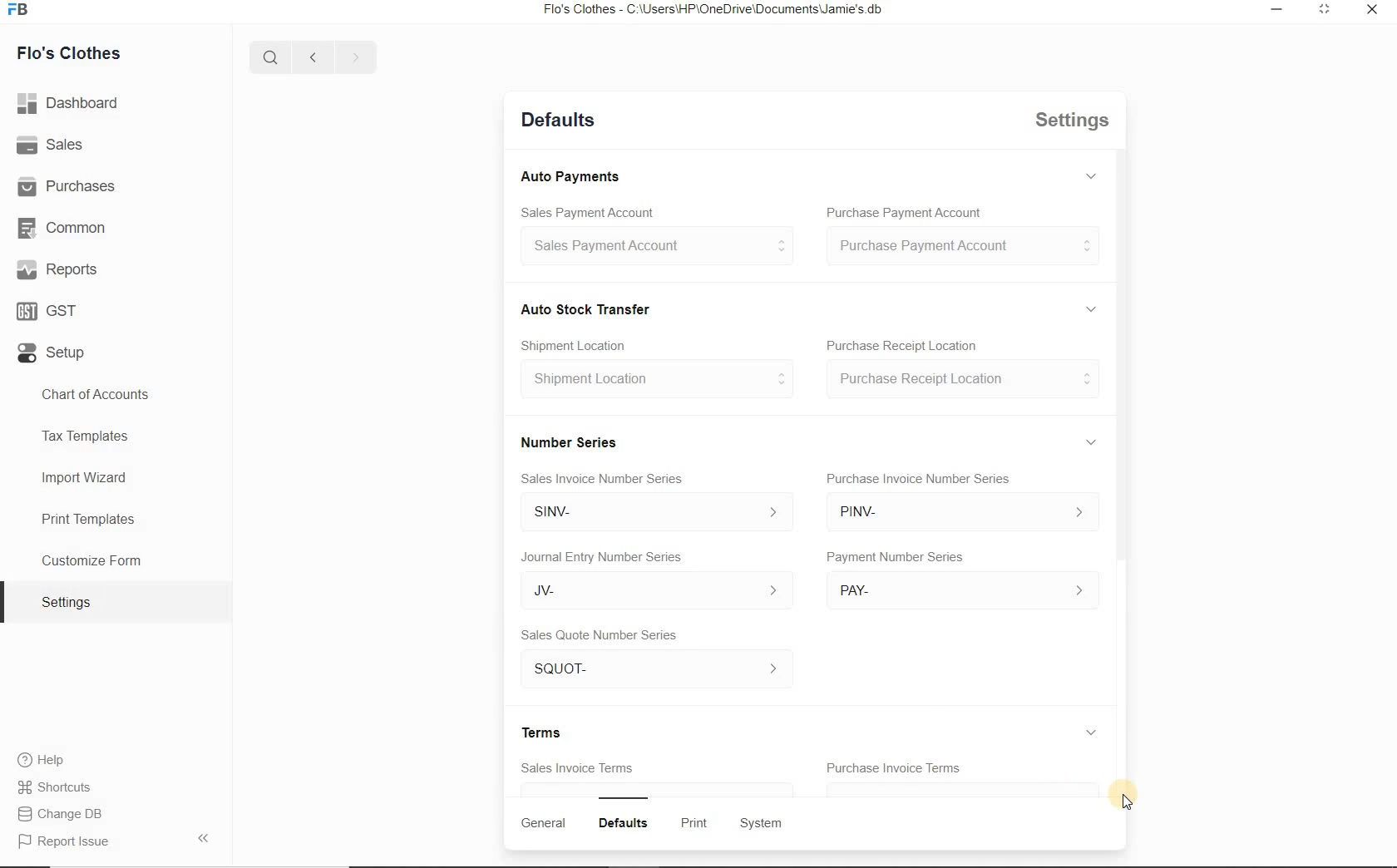 The image size is (1397, 868). What do you see at coordinates (54, 147) in the screenshot?
I see `Sales` at bounding box center [54, 147].